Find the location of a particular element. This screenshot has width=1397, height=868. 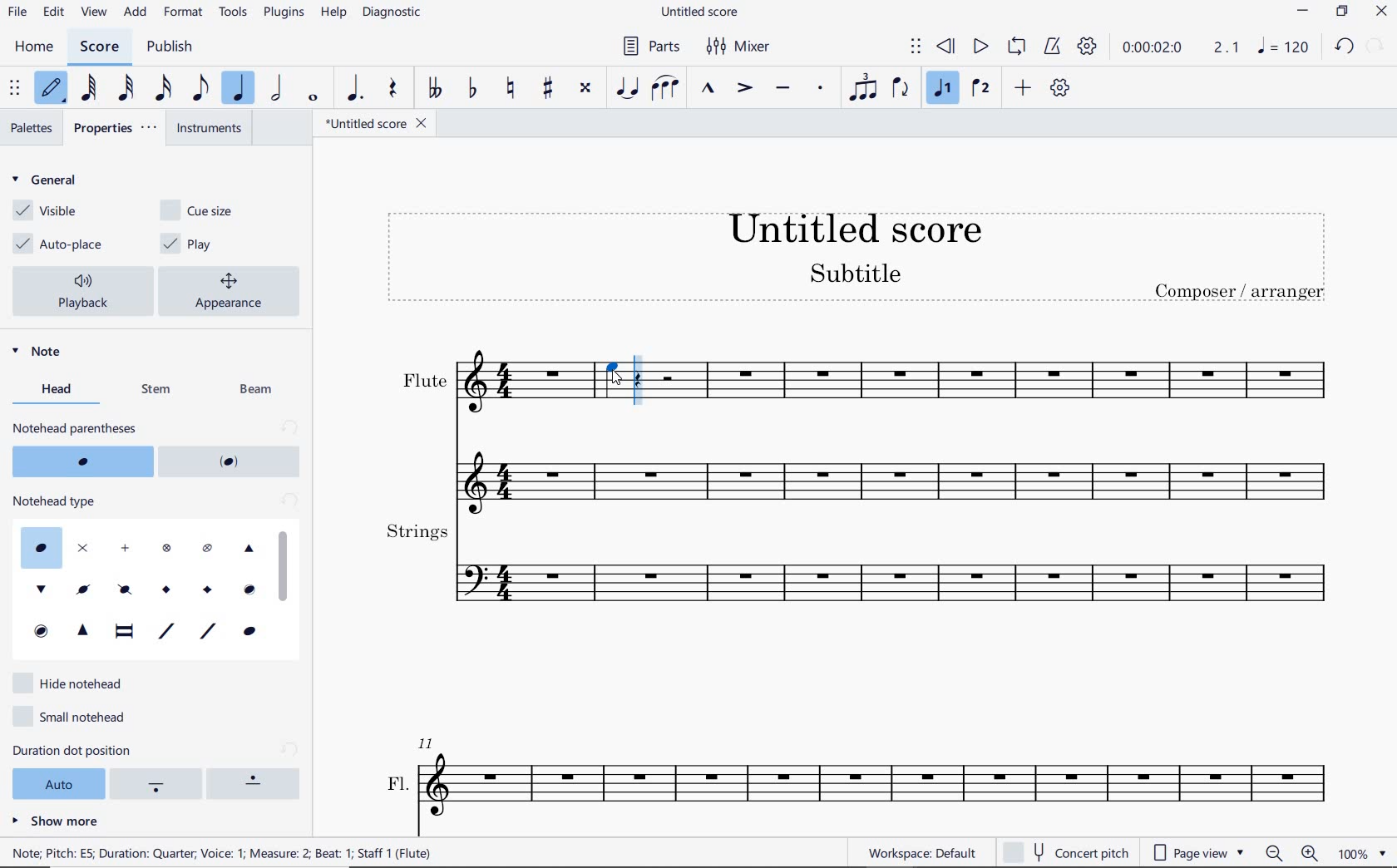

SLUR is located at coordinates (664, 87).